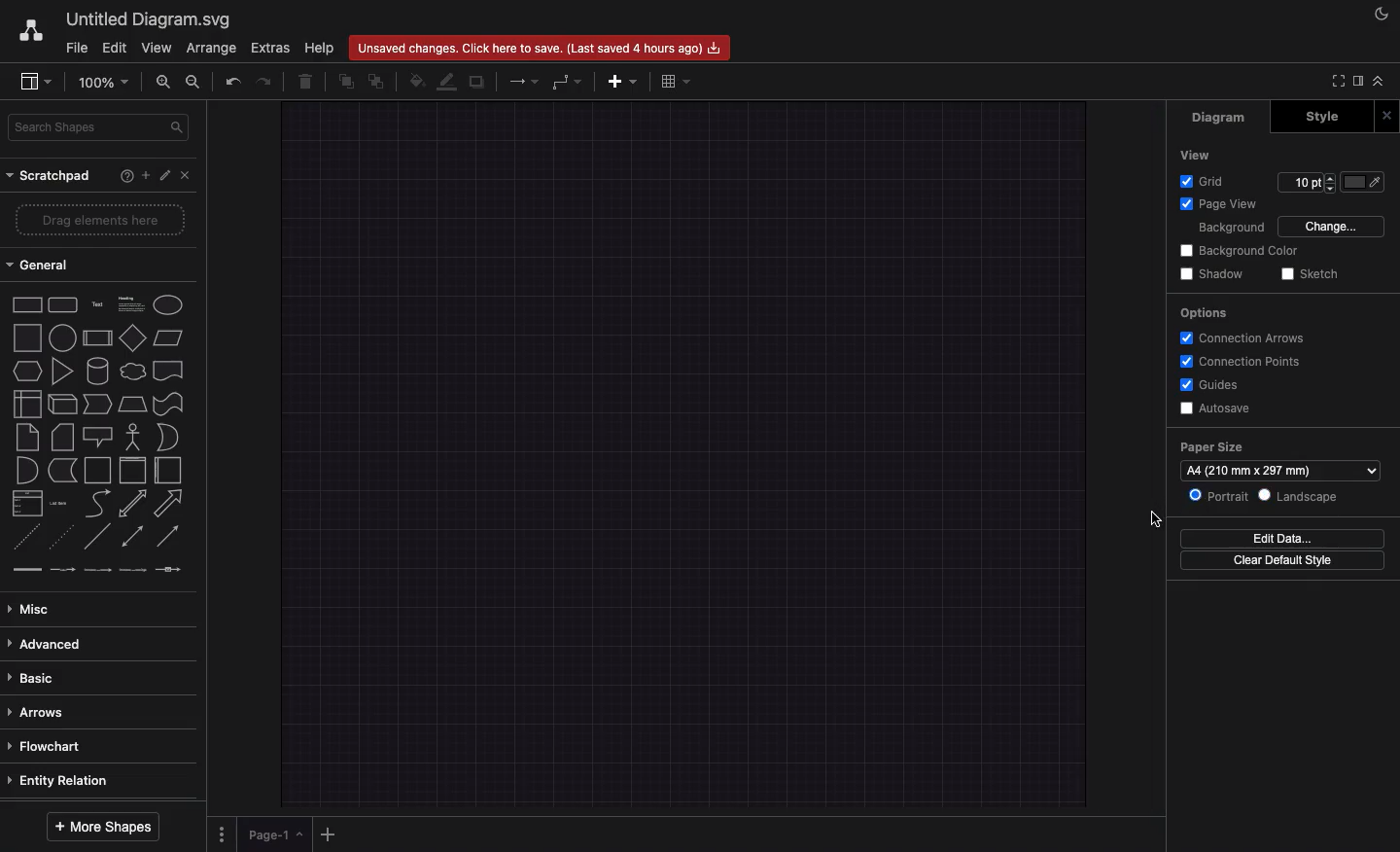 The image size is (1400, 852). Describe the element at coordinates (34, 607) in the screenshot. I see `Misc` at that location.